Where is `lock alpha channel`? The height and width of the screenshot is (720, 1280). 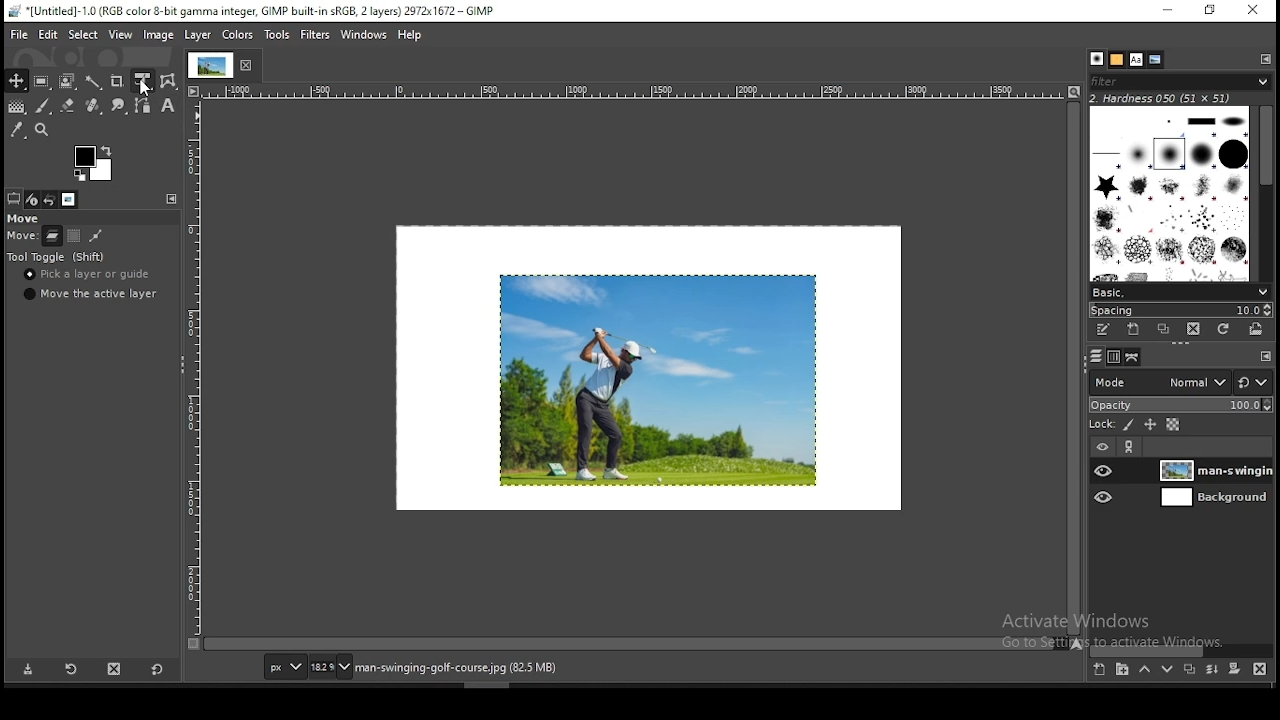
lock alpha channel is located at coordinates (1172, 426).